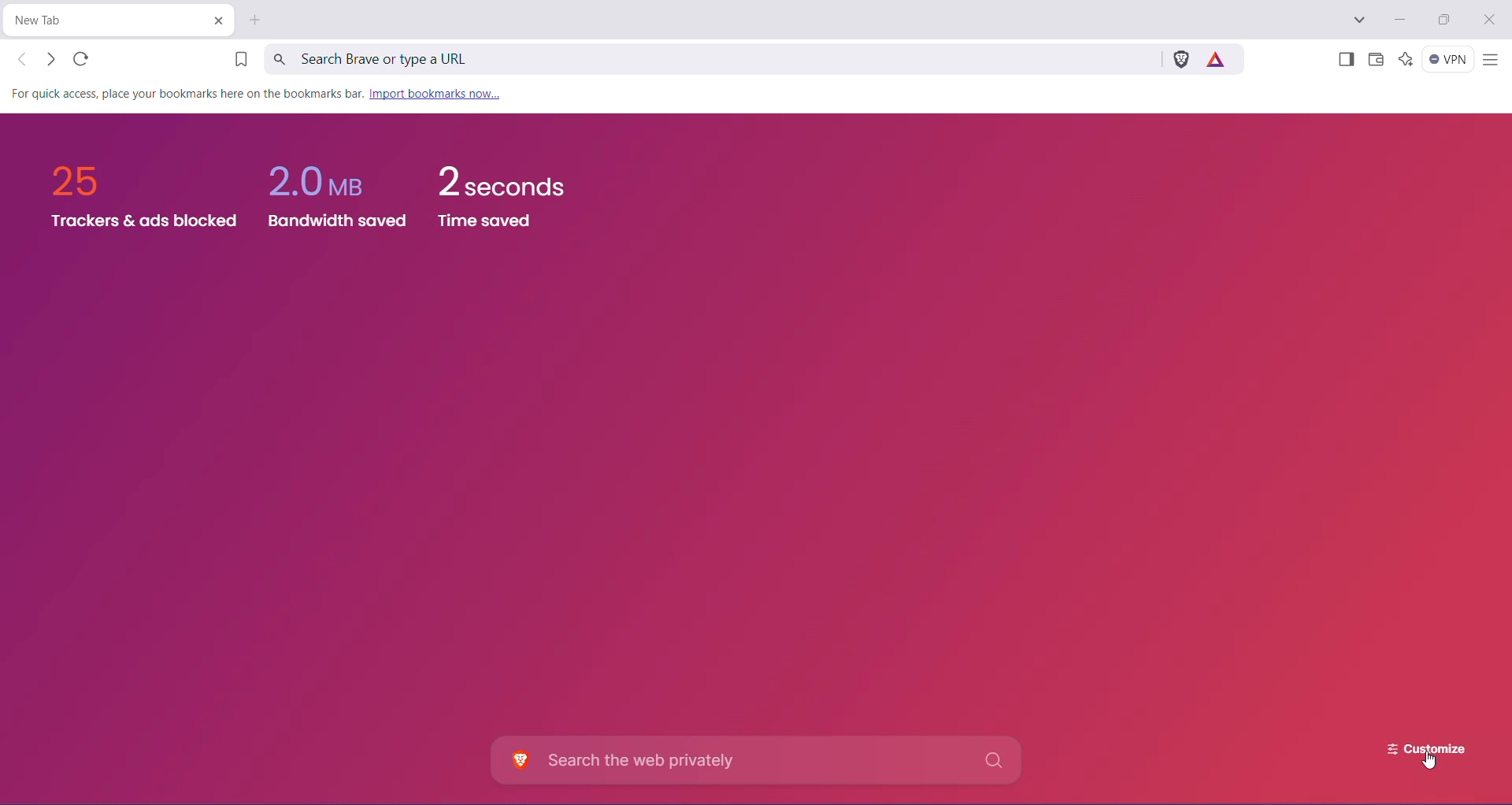  Describe the element at coordinates (1491, 20) in the screenshot. I see `Close` at that location.